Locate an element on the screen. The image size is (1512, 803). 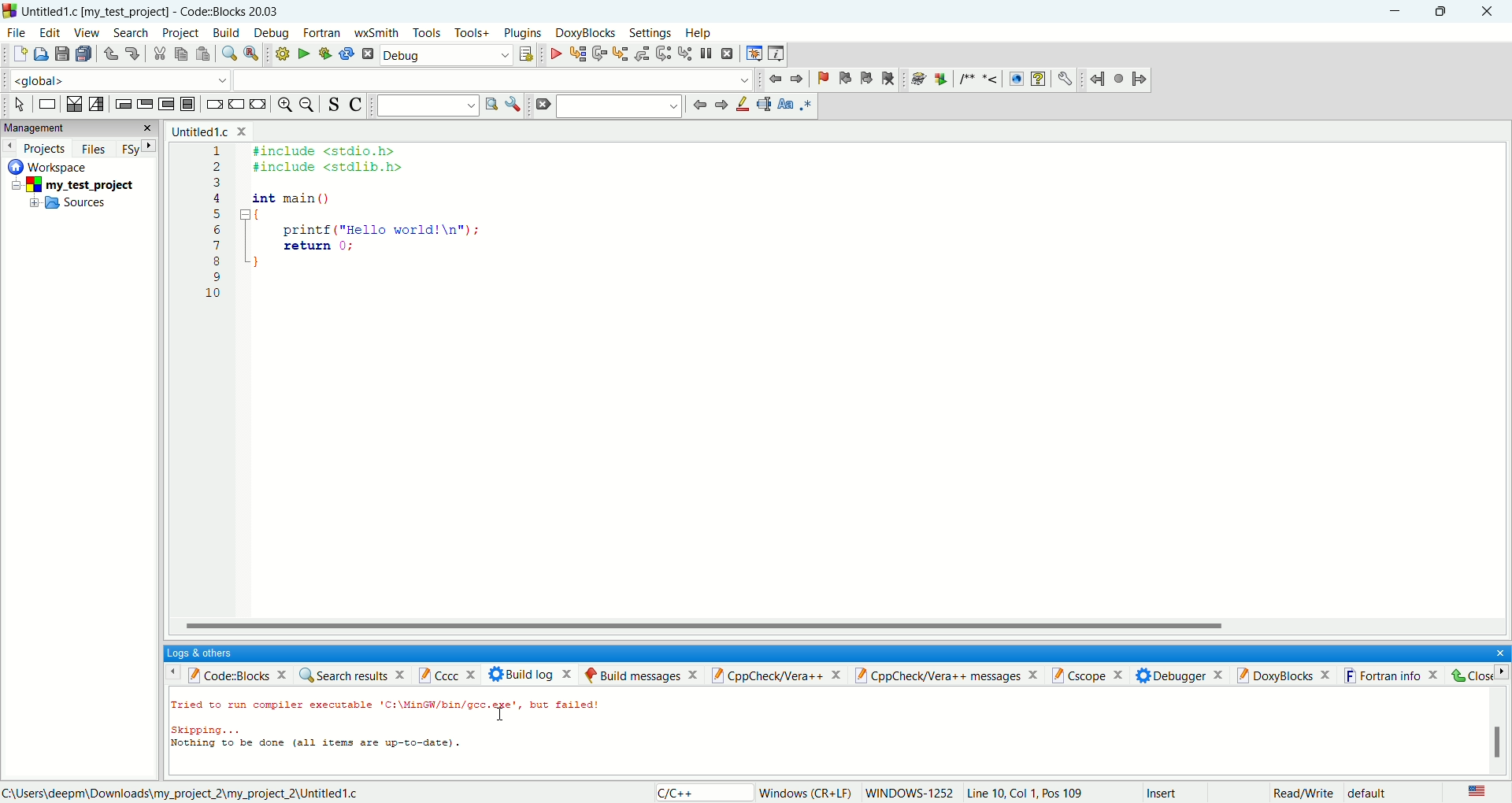
sources is located at coordinates (69, 205).